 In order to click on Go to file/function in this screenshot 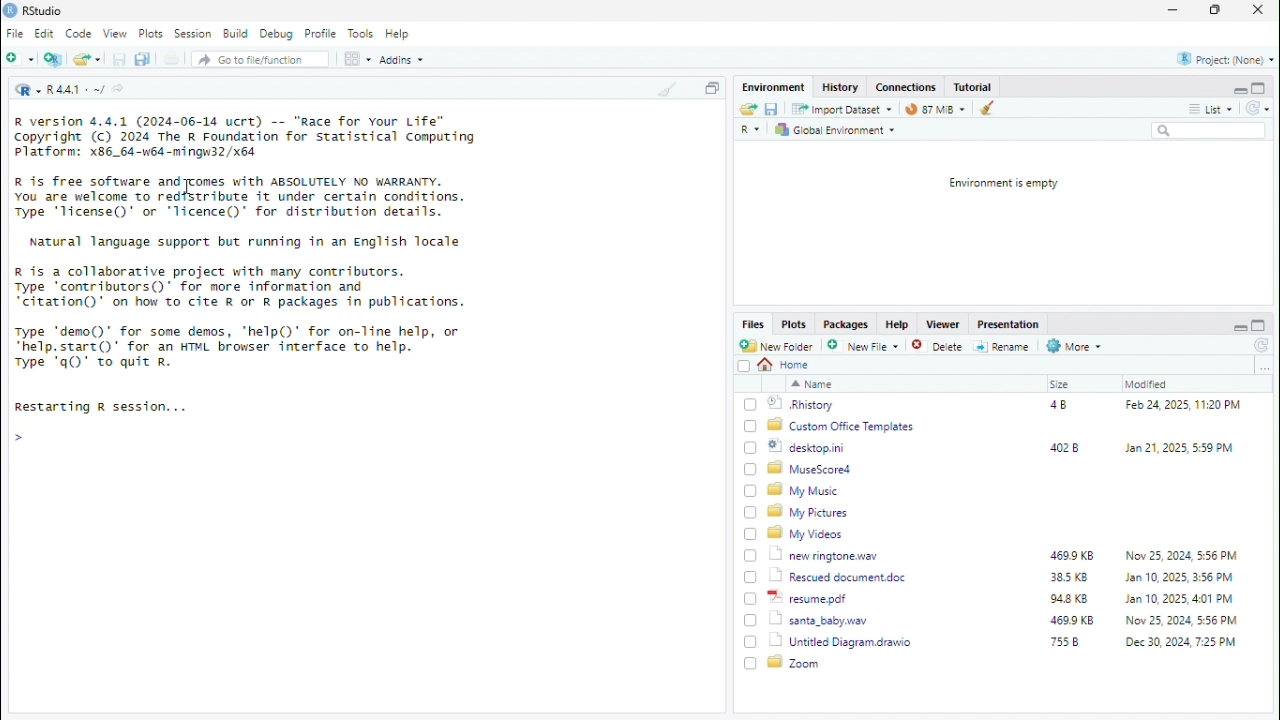, I will do `click(261, 59)`.